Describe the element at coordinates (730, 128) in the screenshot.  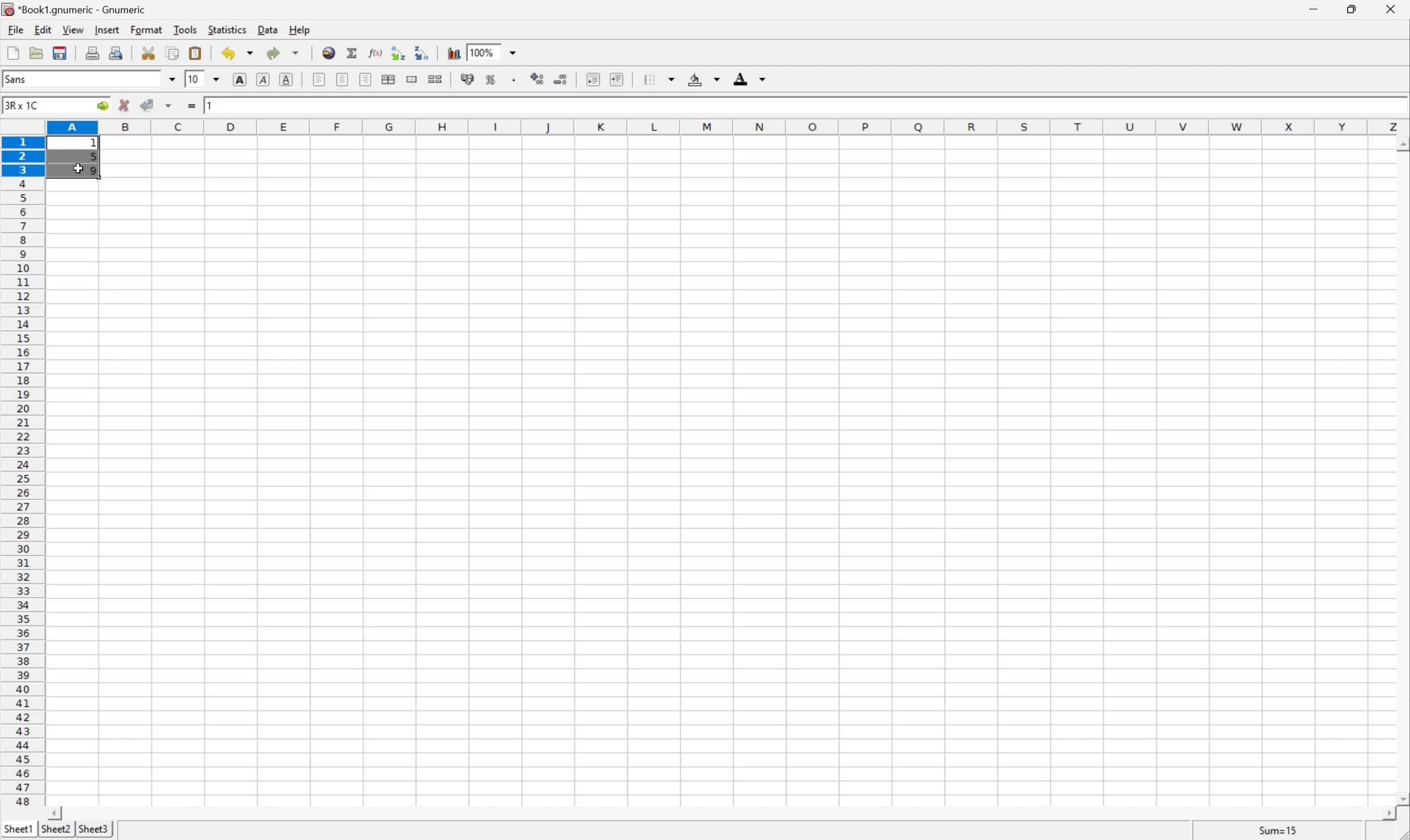
I see `column names` at that location.